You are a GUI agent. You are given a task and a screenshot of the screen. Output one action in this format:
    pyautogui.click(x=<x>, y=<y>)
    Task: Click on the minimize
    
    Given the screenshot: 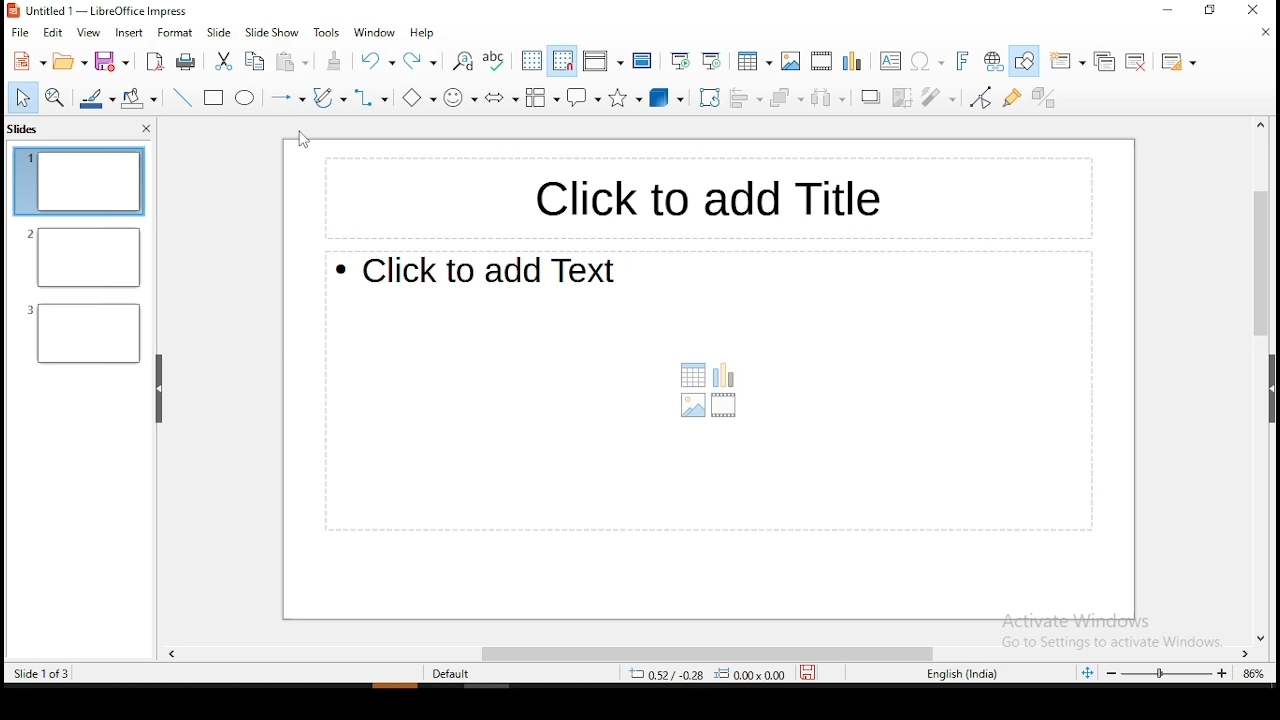 What is the action you would take?
    pyautogui.click(x=1167, y=11)
    